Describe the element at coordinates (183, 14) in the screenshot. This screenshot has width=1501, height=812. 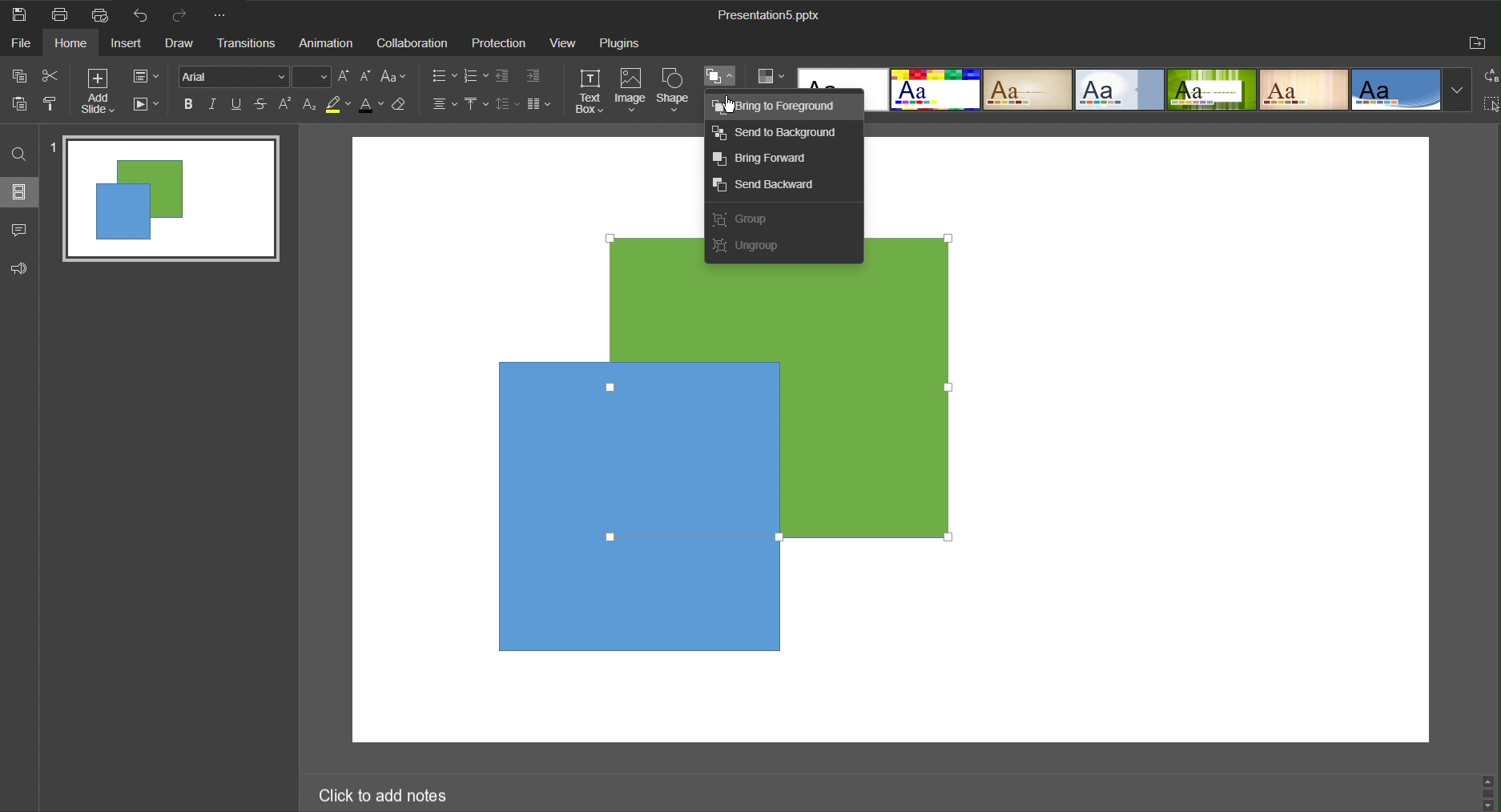
I see `Redo` at that location.